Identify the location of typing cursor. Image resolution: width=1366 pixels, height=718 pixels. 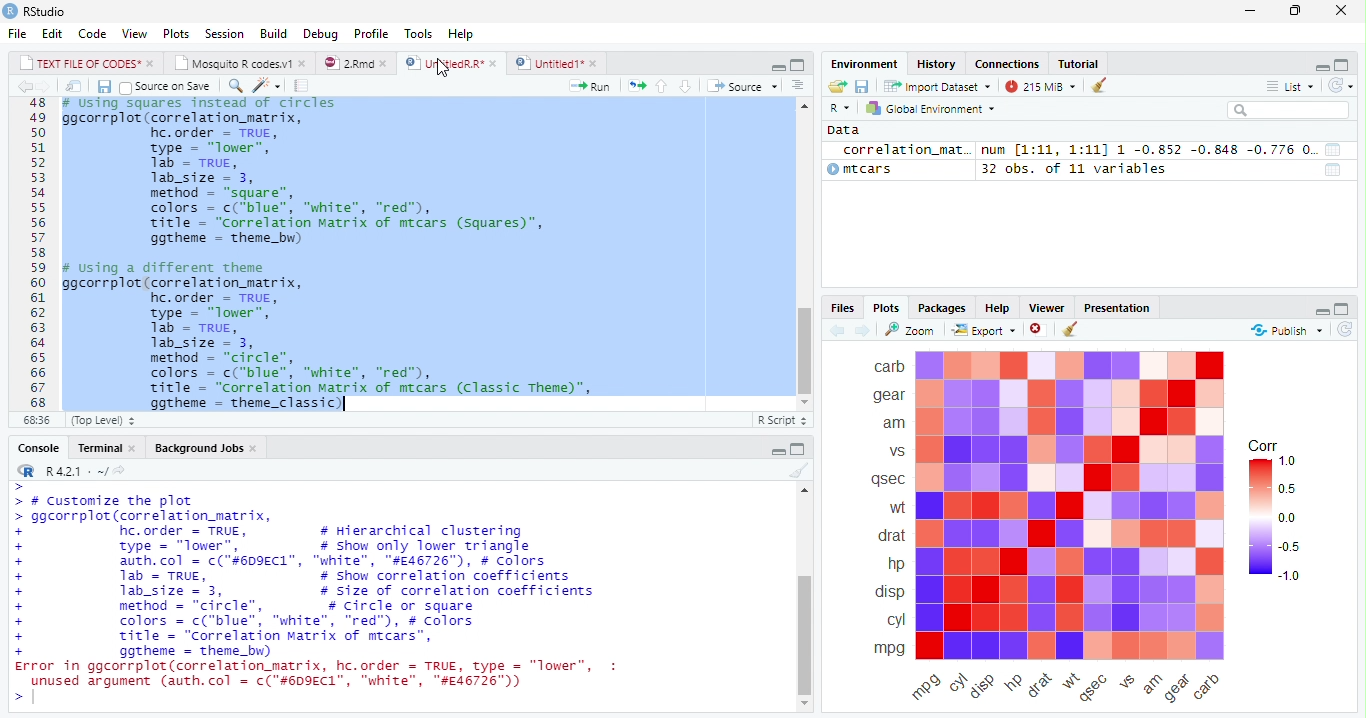
(344, 405).